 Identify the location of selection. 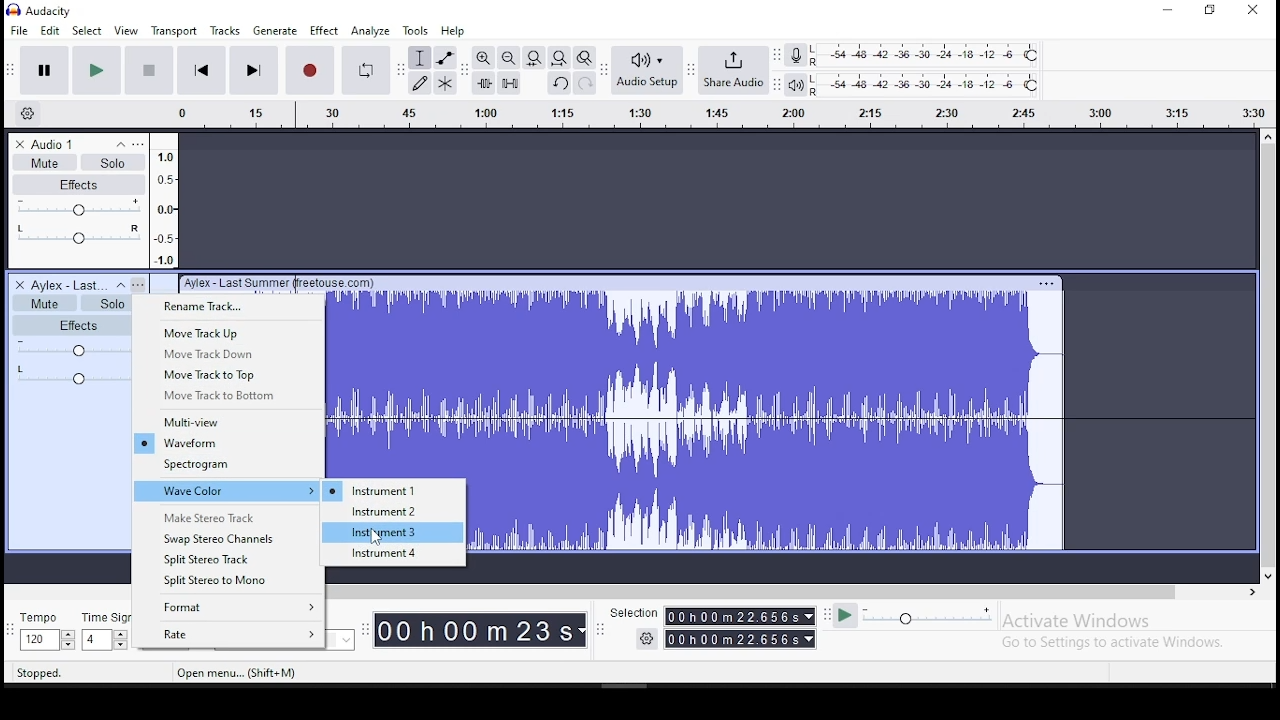
(710, 625).